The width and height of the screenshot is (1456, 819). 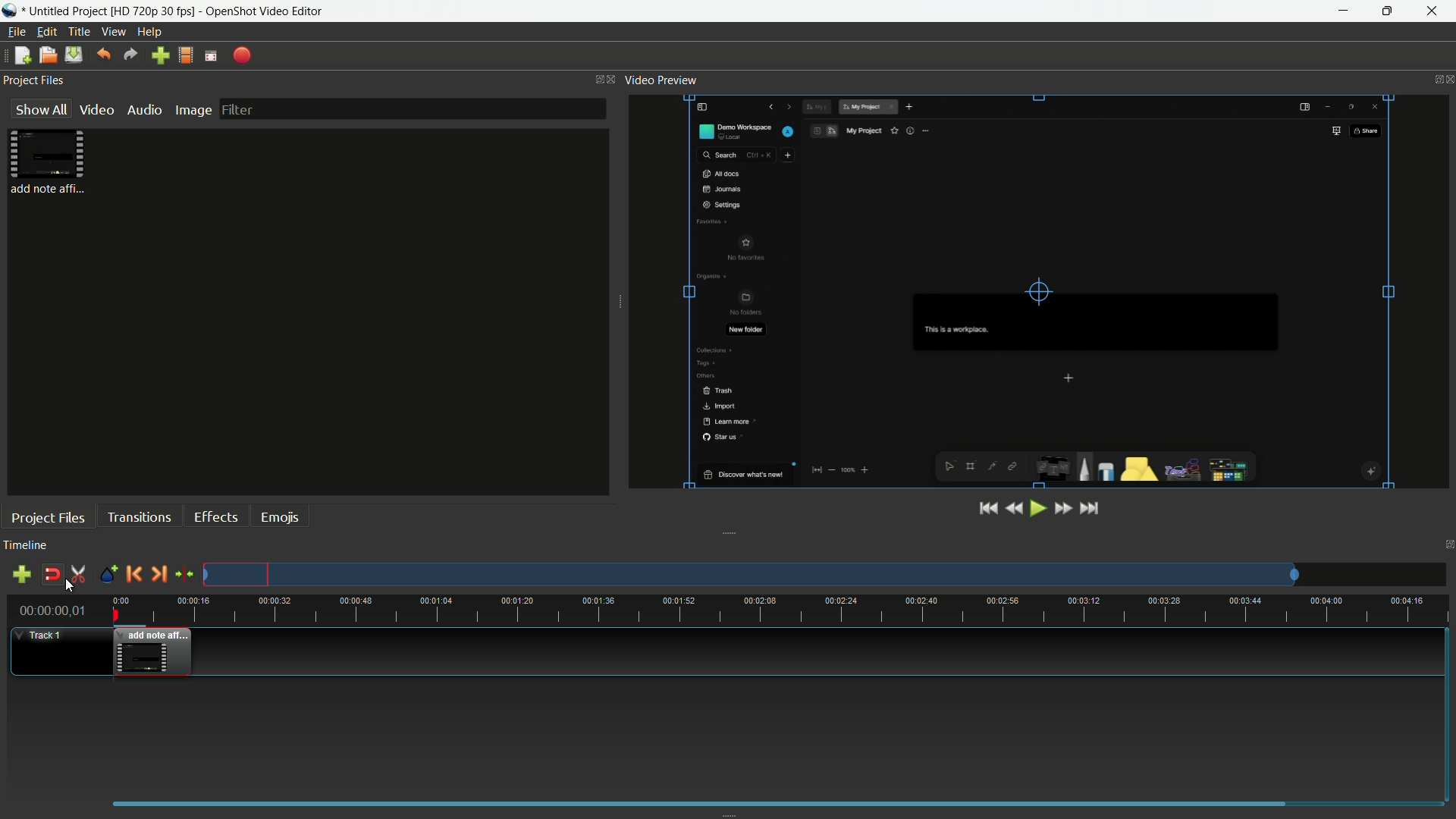 I want to click on title menu, so click(x=75, y=31).